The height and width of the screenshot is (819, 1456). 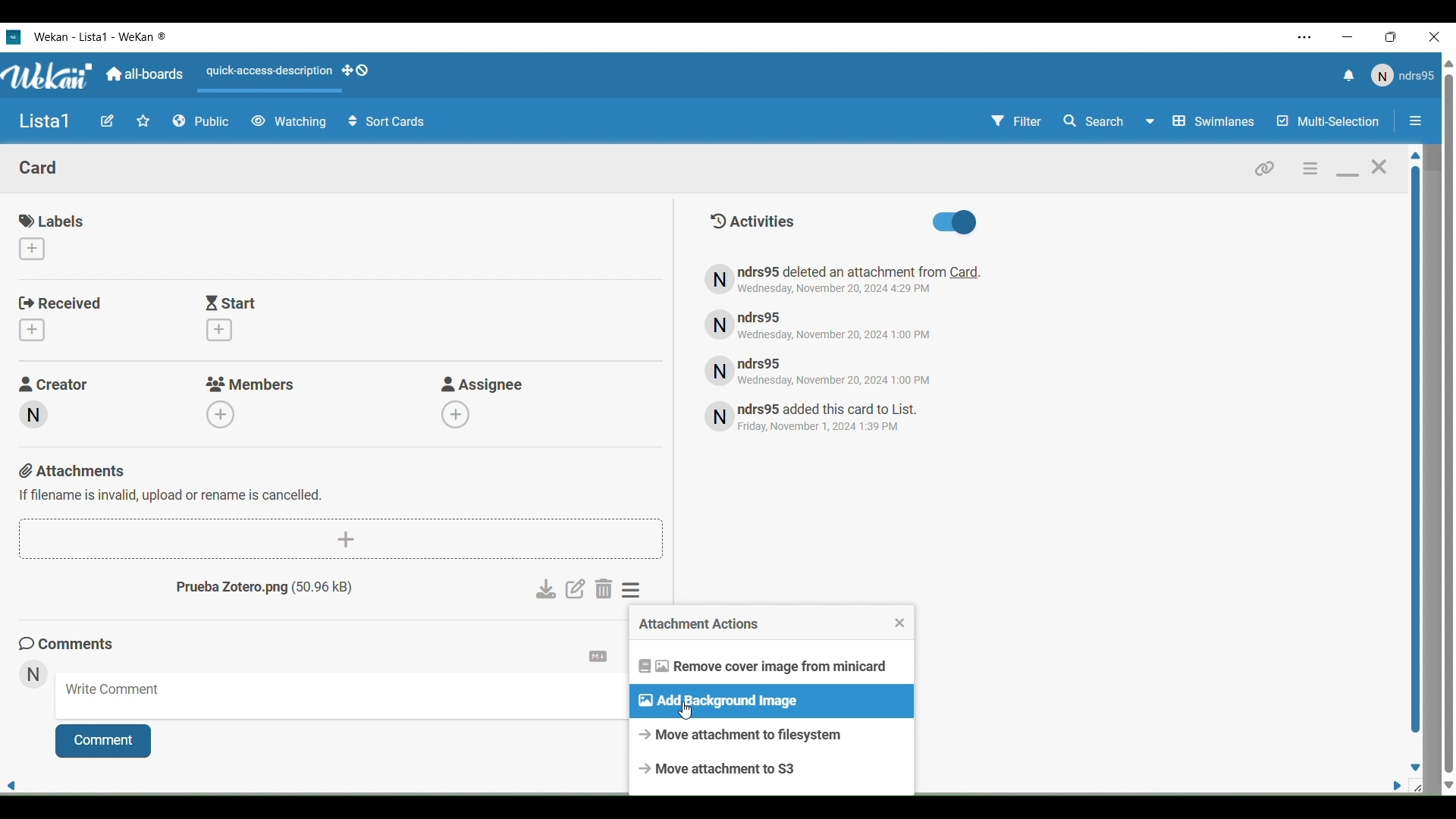 I want to click on Labels, so click(x=55, y=221).